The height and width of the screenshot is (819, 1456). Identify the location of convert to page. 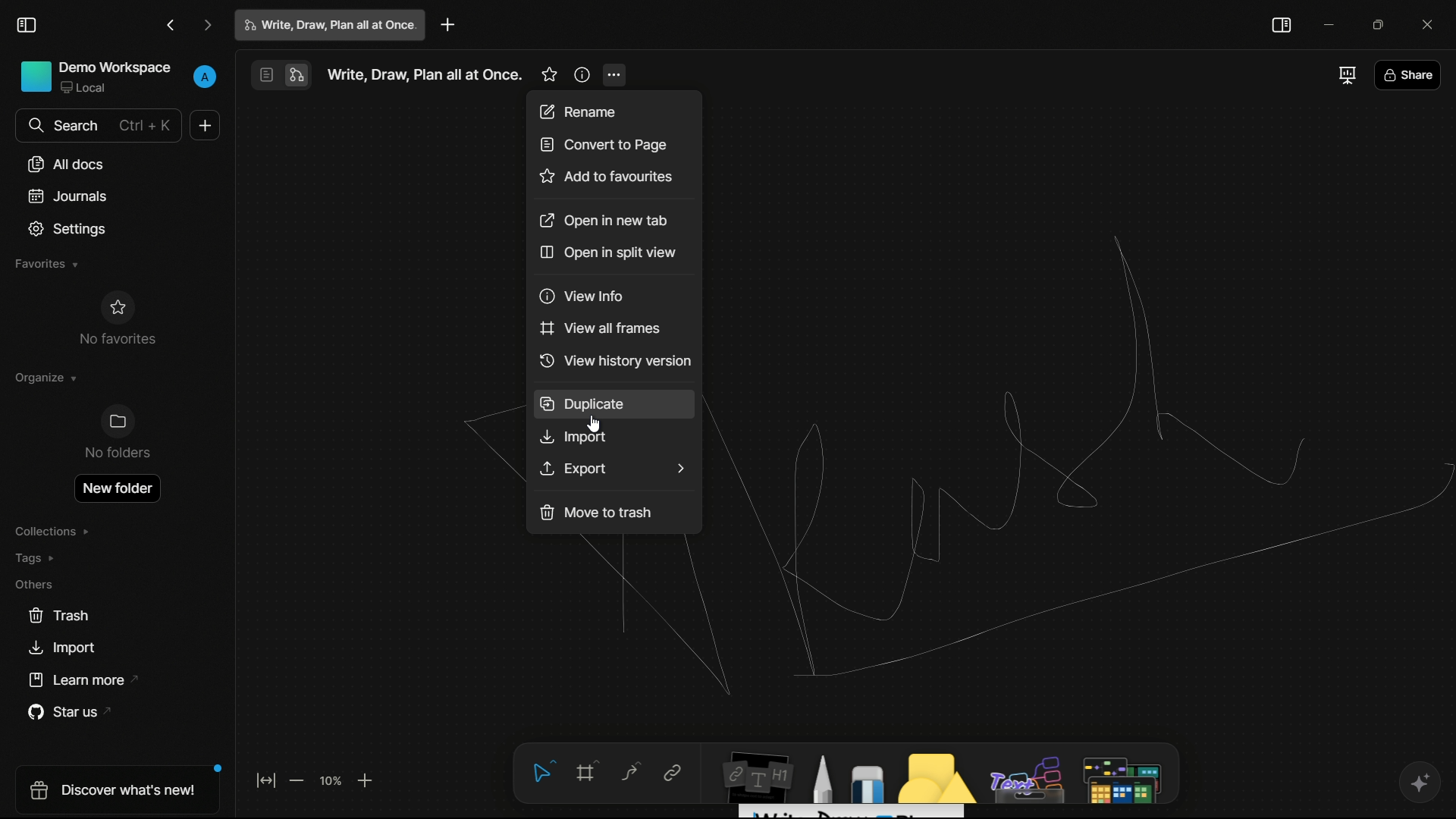
(606, 145).